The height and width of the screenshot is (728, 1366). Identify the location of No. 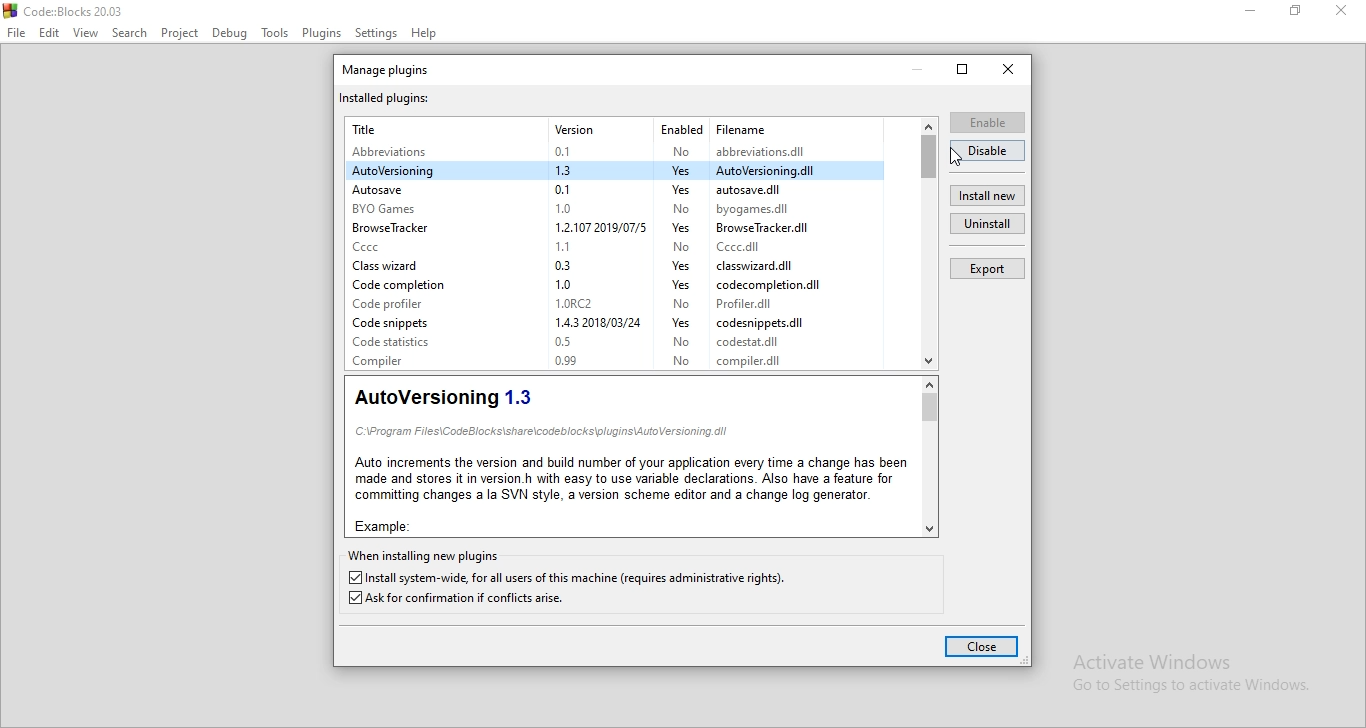
(678, 343).